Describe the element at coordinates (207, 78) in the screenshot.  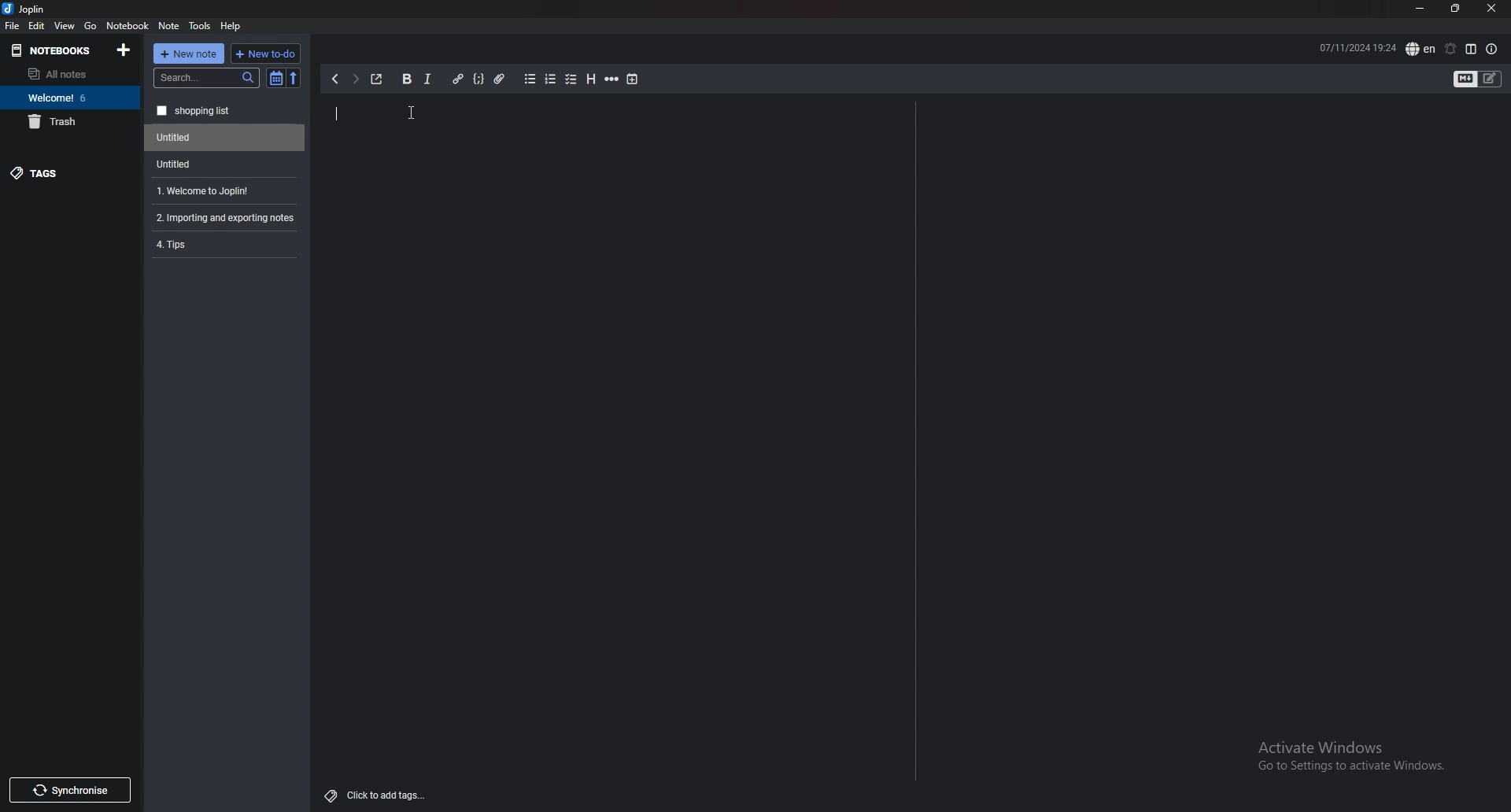
I see `search bar` at that location.